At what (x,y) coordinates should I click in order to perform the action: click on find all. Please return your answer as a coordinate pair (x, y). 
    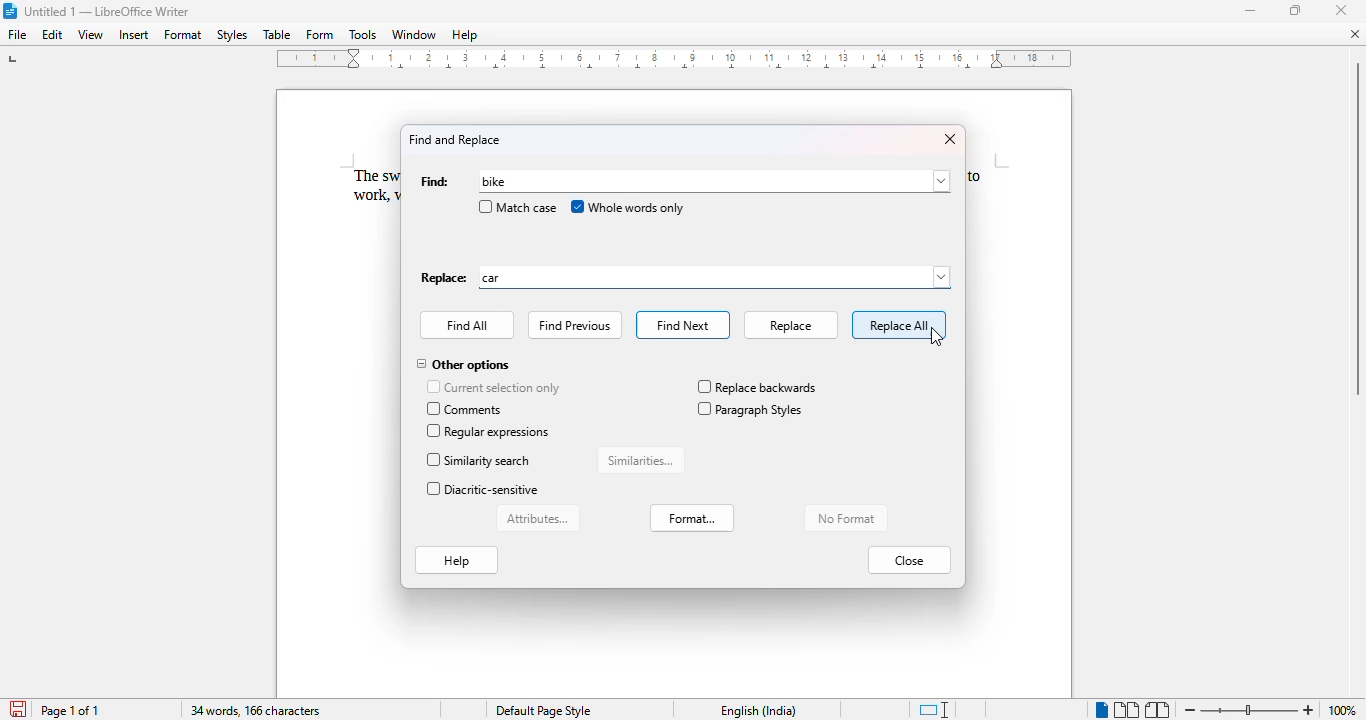
    Looking at the image, I should click on (468, 325).